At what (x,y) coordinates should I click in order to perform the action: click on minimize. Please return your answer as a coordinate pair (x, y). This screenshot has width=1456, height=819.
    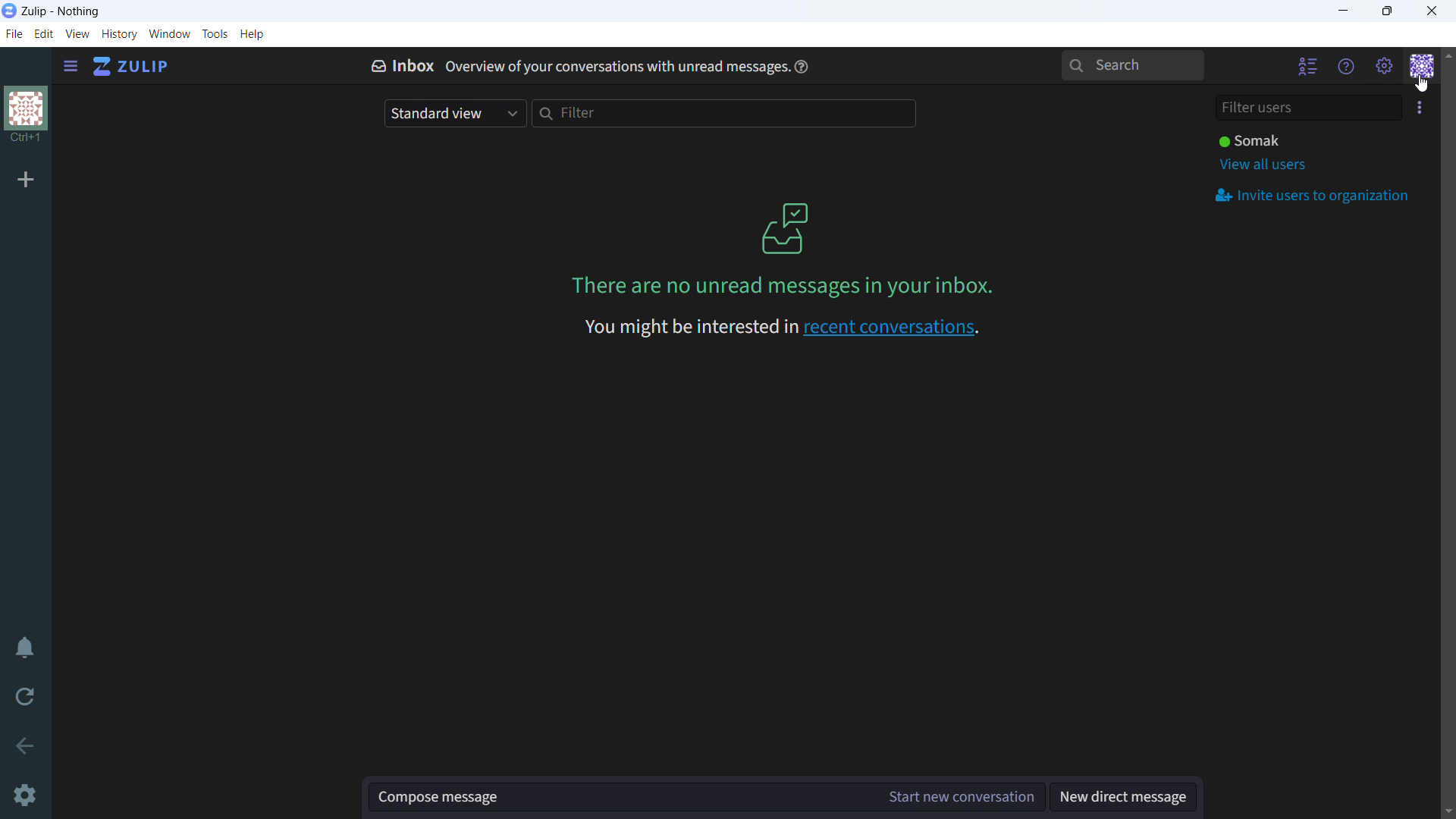
    Looking at the image, I should click on (1342, 11).